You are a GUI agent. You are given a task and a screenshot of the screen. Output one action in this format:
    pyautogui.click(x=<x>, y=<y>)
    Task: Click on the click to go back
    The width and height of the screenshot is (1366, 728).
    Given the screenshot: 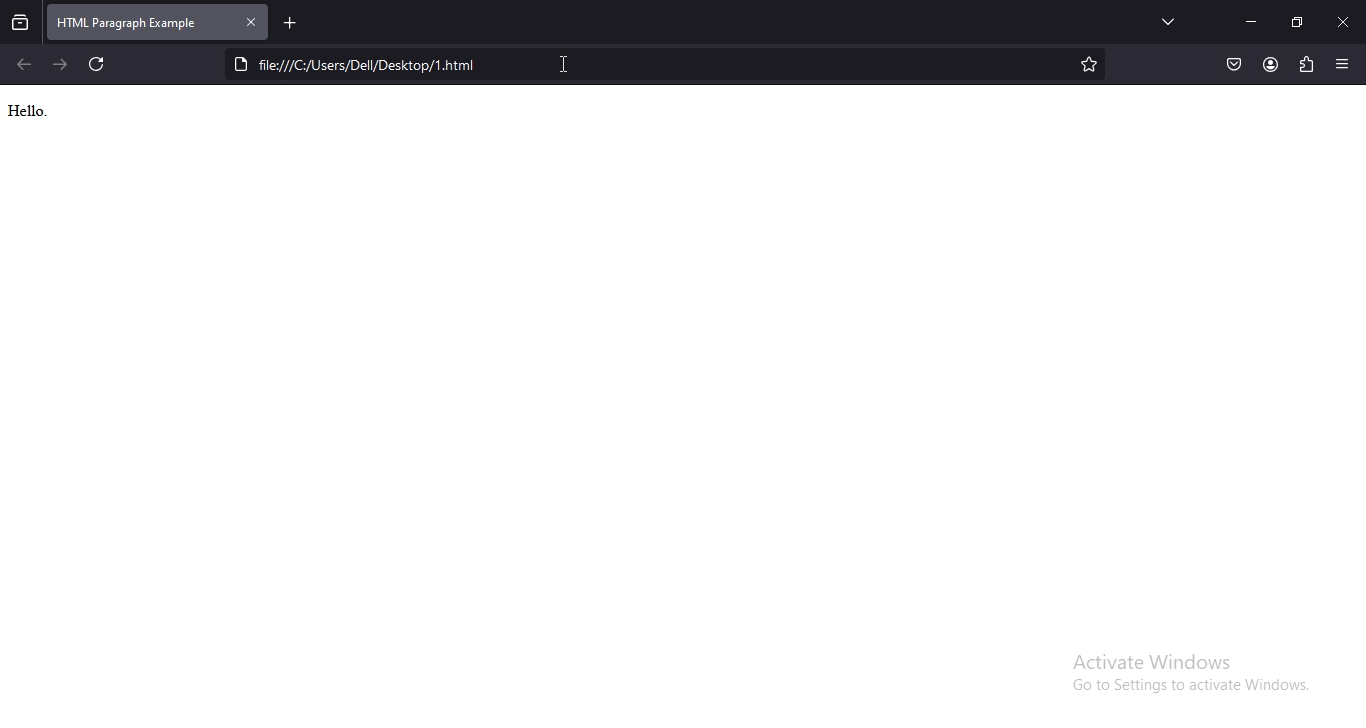 What is the action you would take?
    pyautogui.click(x=23, y=62)
    